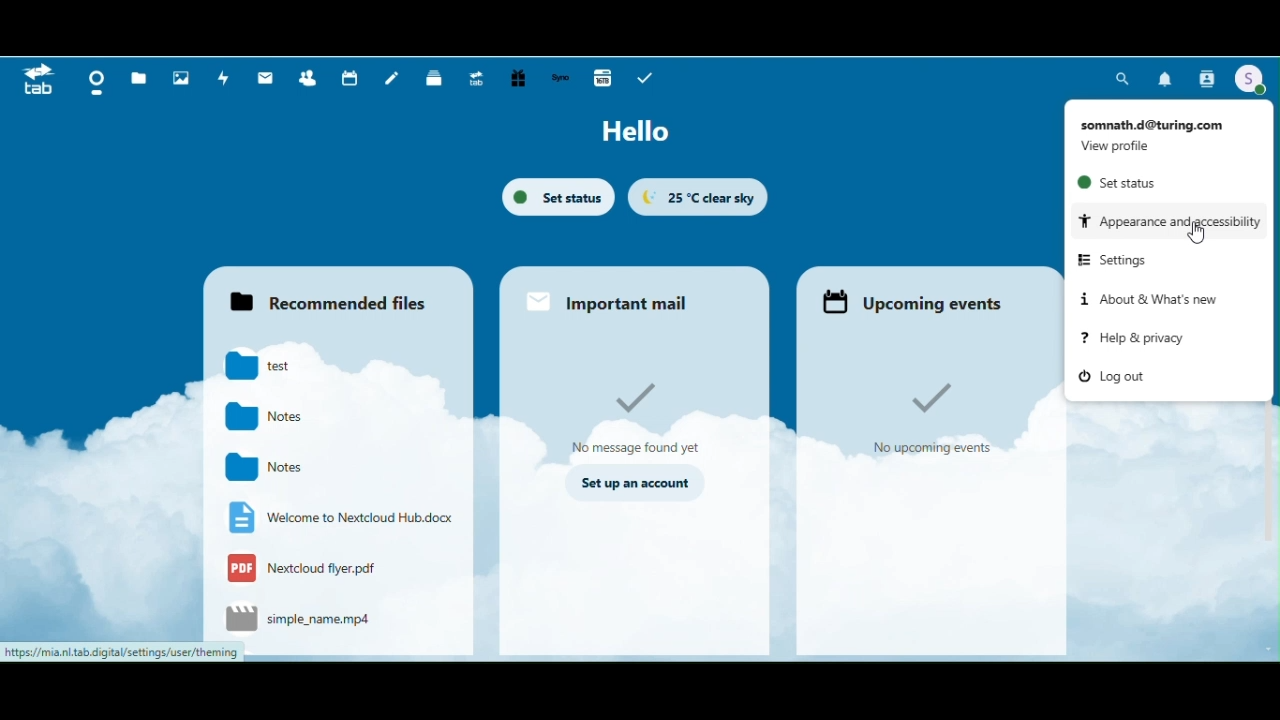 This screenshot has height=720, width=1280. I want to click on Recommended files, so click(335, 293).